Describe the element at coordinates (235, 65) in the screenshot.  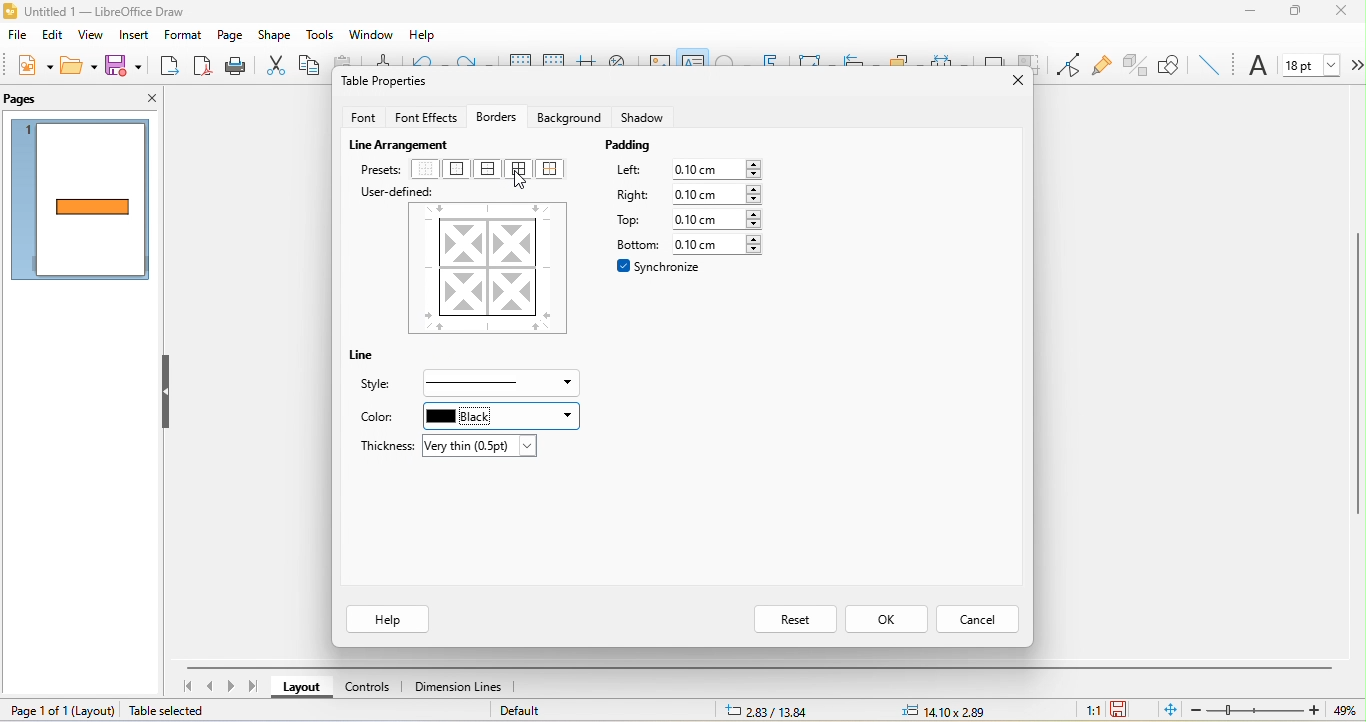
I see `print` at that location.